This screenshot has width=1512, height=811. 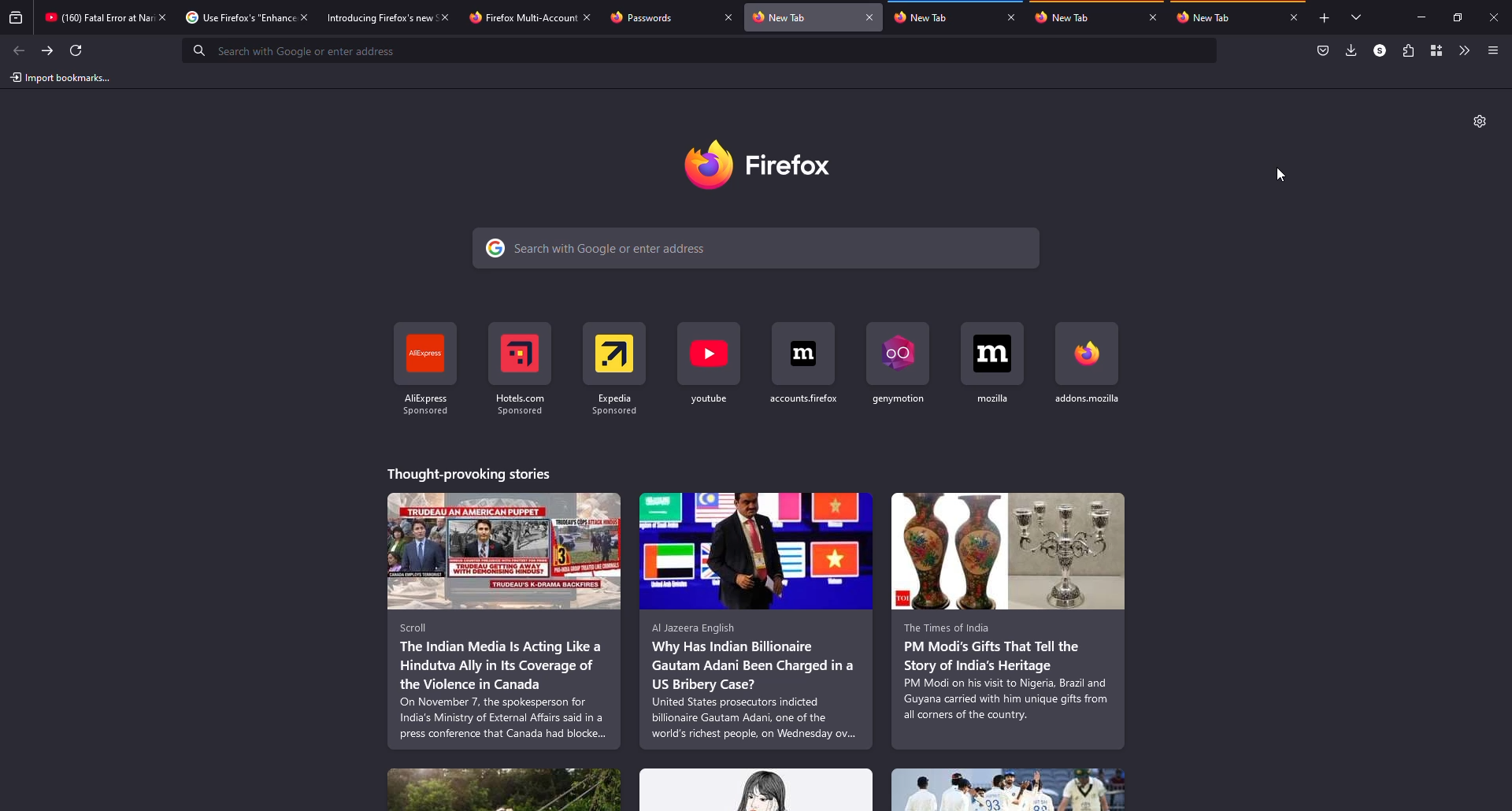 What do you see at coordinates (616, 366) in the screenshot?
I see `shortcut` at bounding box center [616, 366].